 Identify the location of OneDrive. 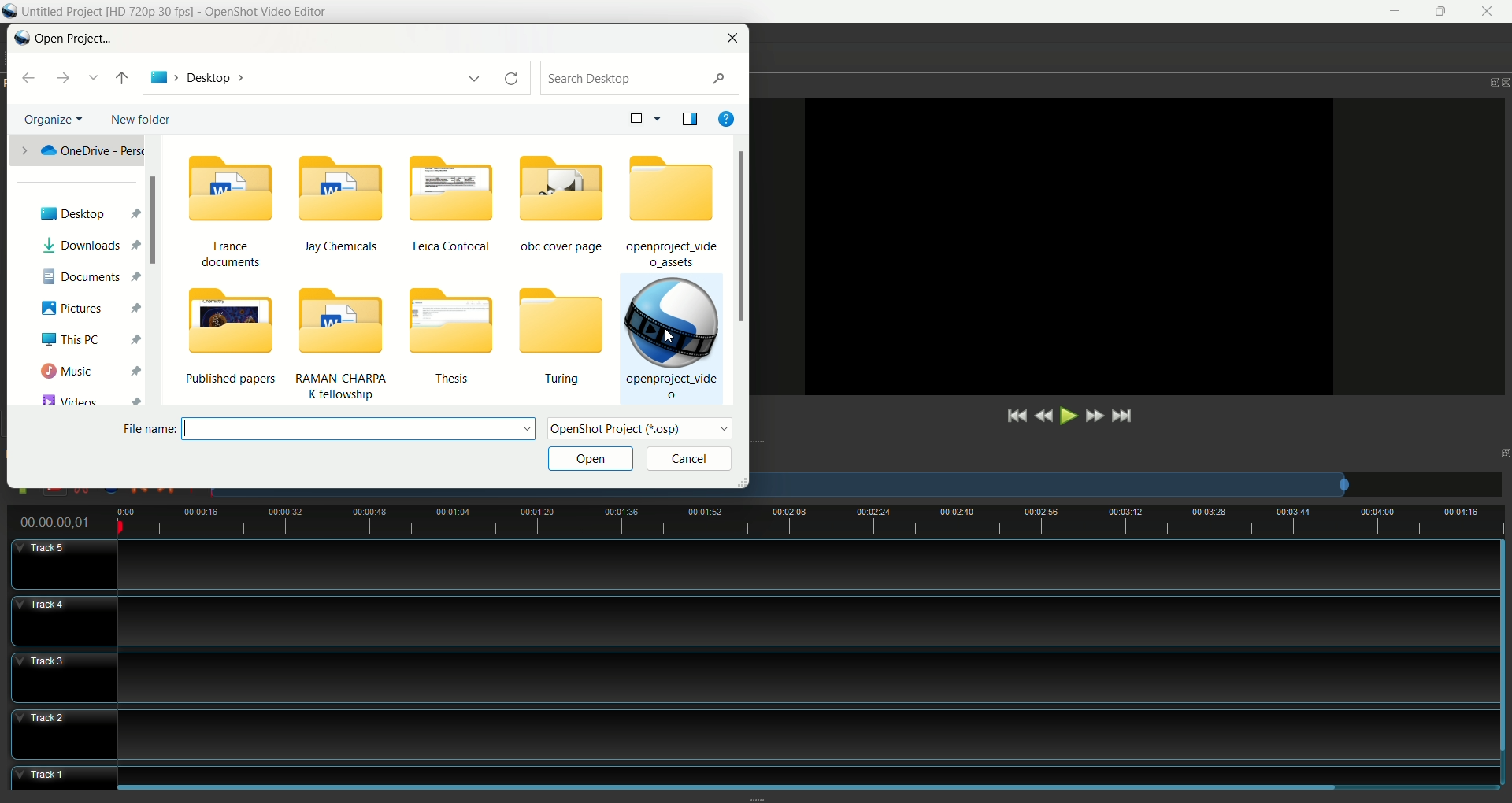
(75, 149).